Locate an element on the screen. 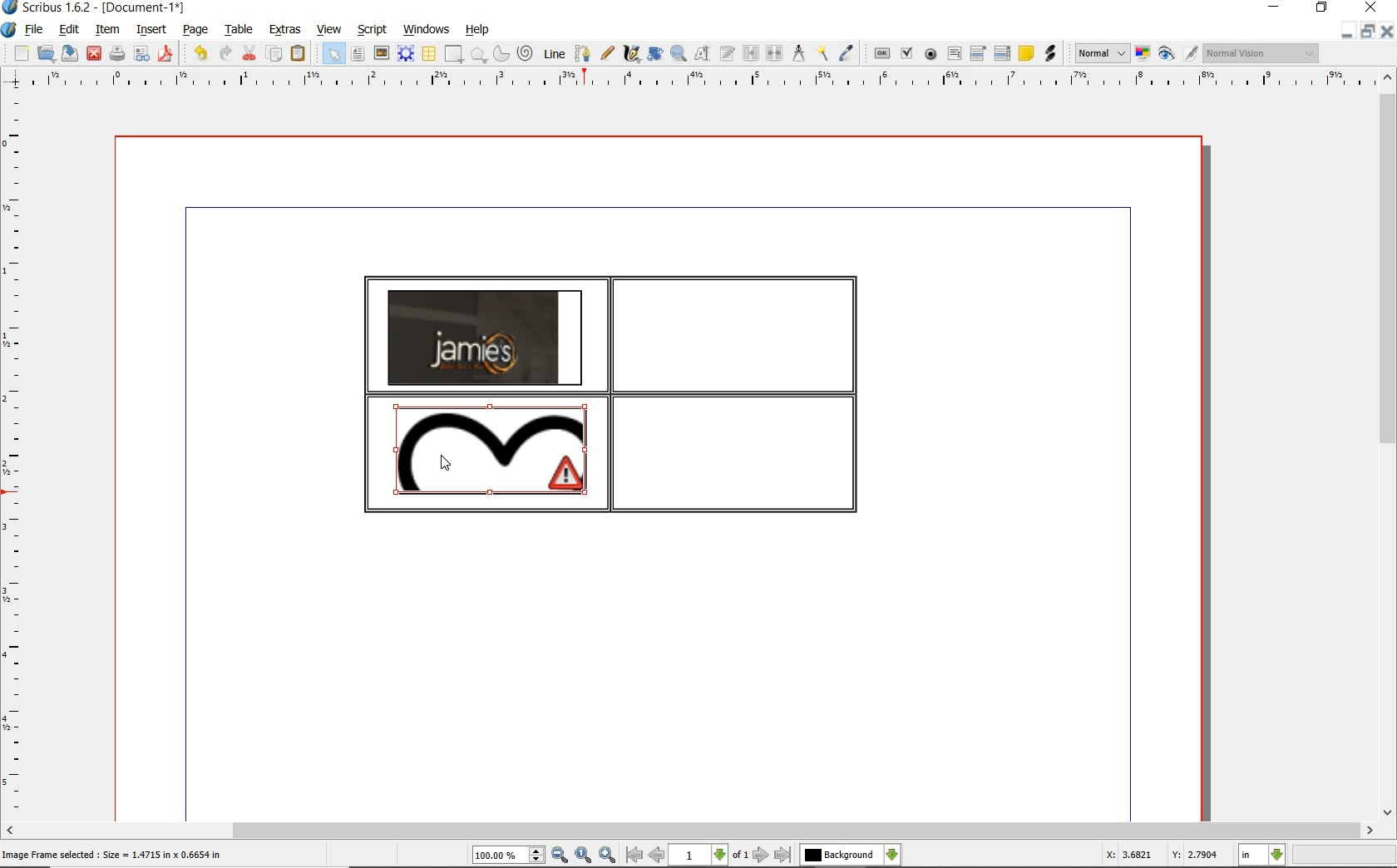  close is located at coordinates (1386, 32).